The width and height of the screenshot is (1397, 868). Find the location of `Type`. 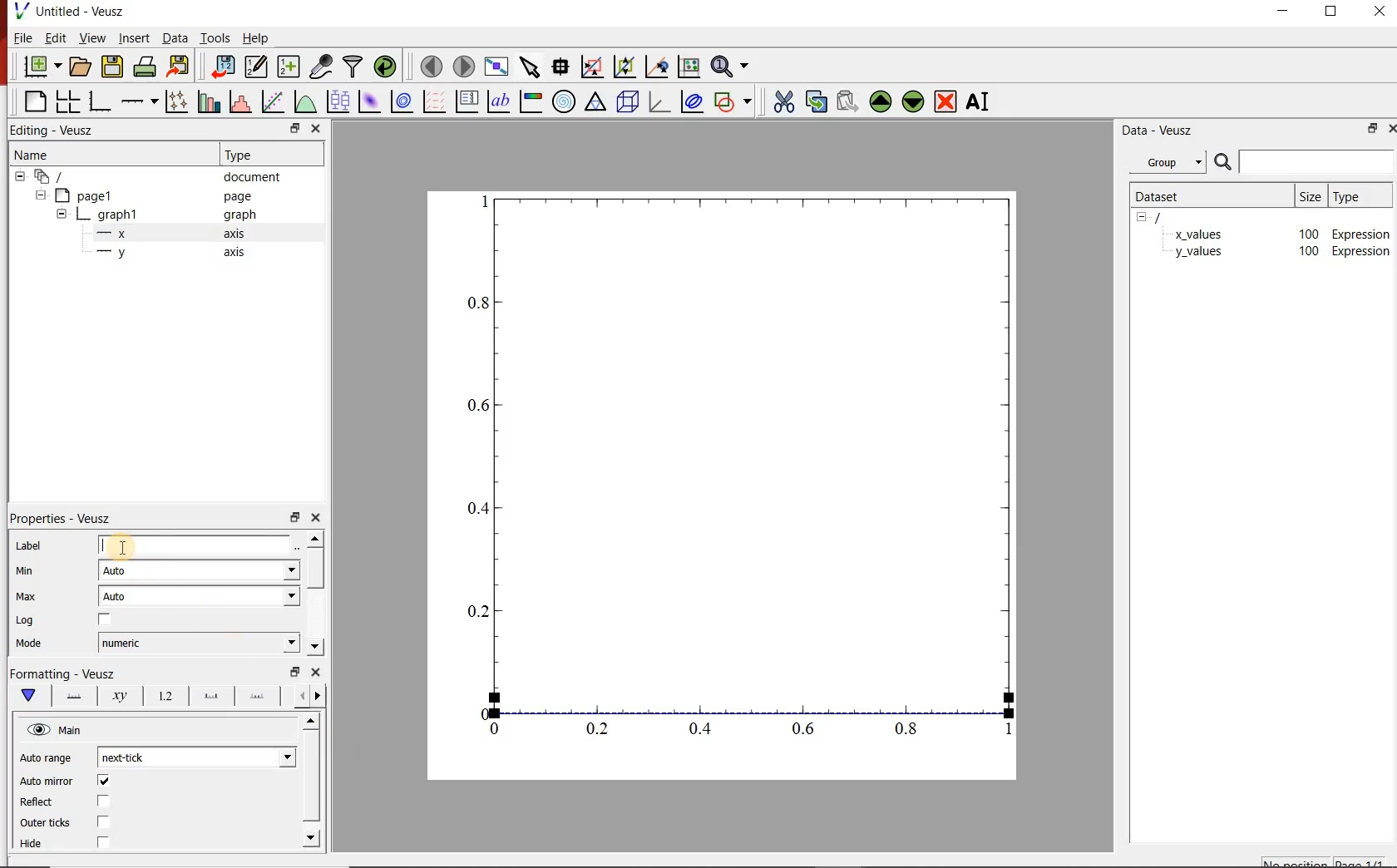

Type is located at coordinates (250, 155).